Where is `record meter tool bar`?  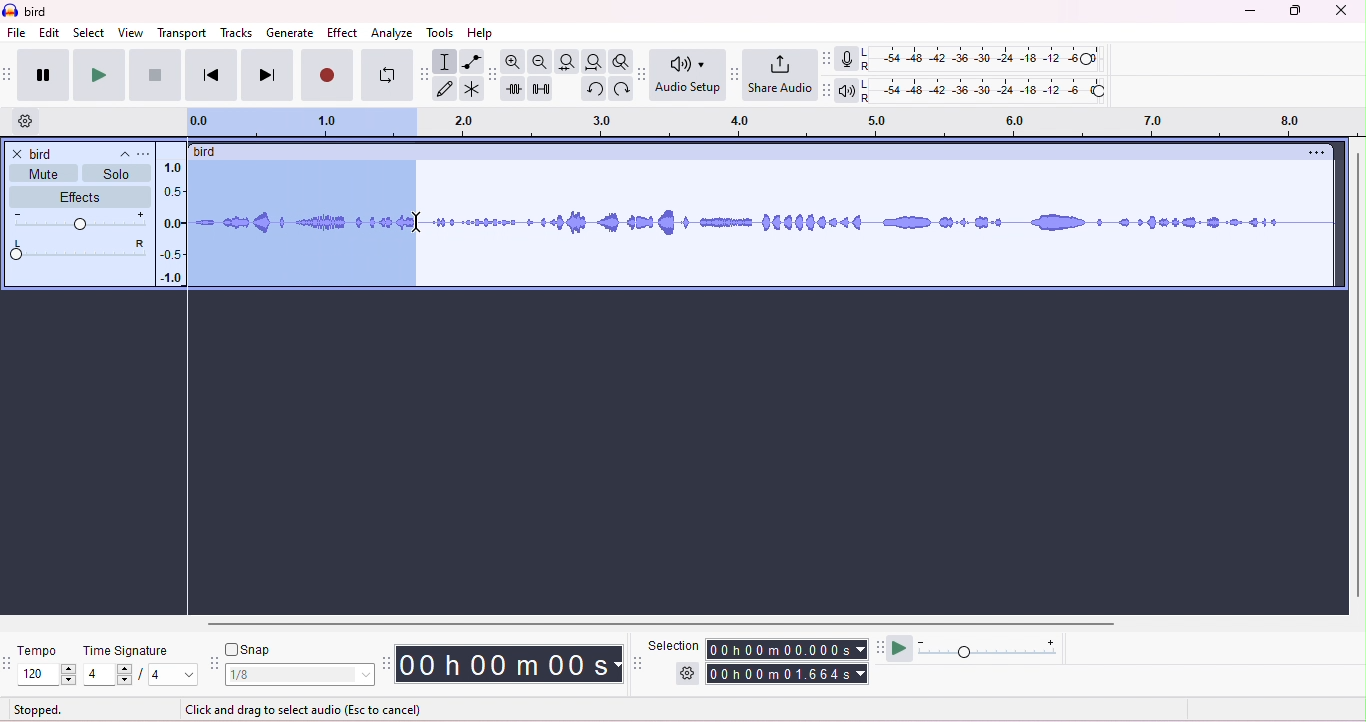
record meter tool bar is located at coordinates (830, 59).